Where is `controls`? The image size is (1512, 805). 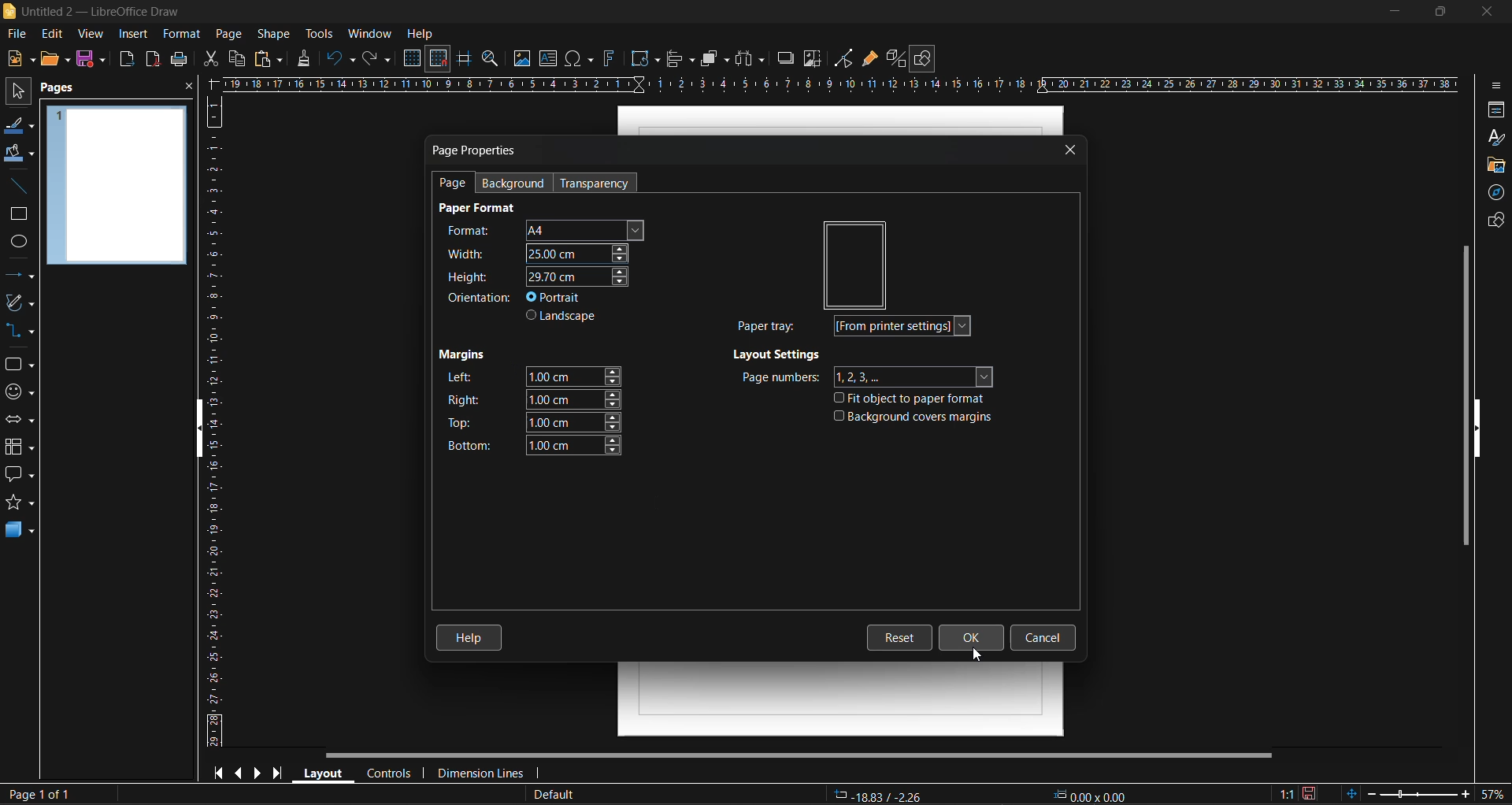
controls is located at coordinates (391, 773).